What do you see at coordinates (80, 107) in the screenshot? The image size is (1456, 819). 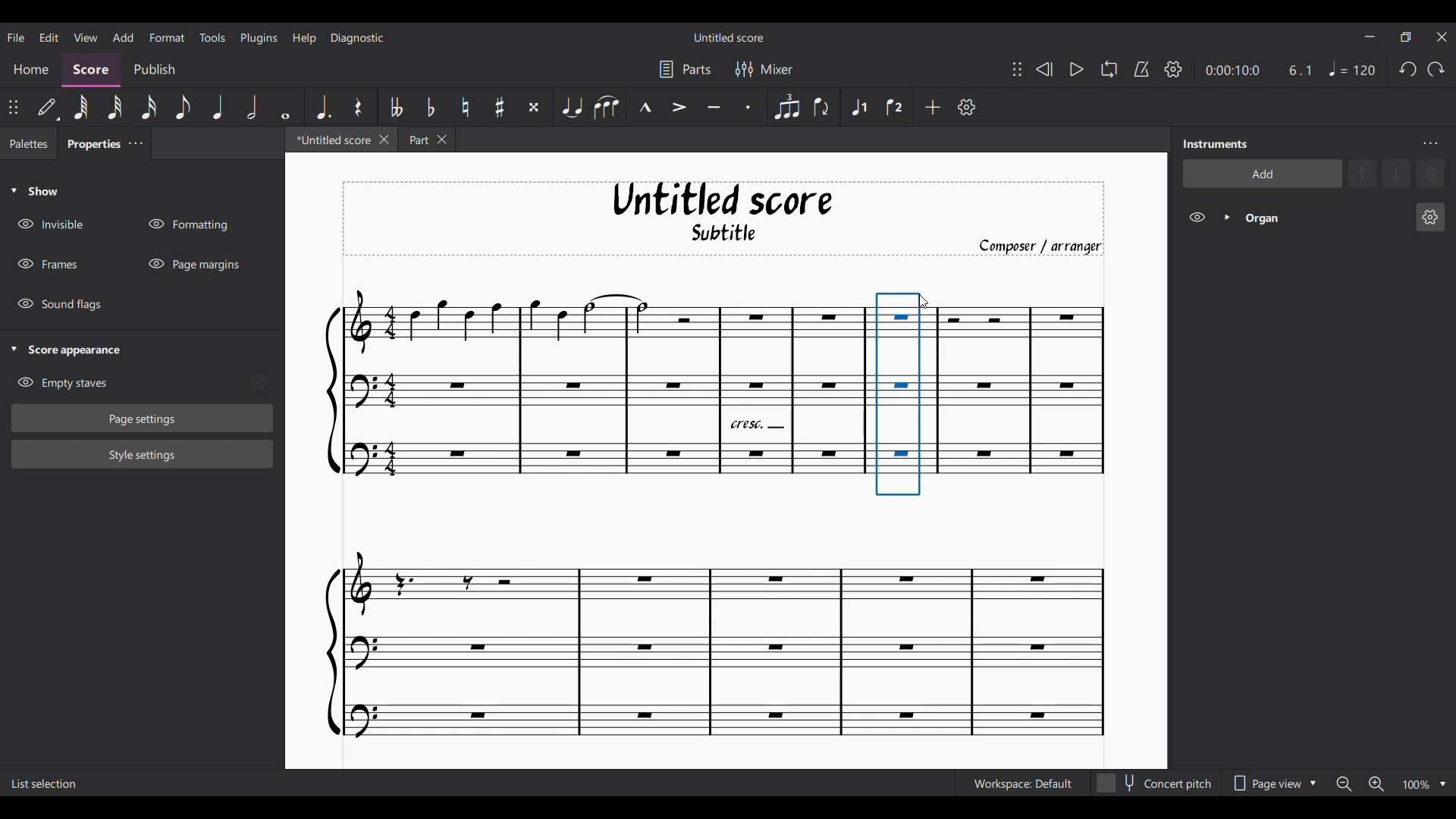 I see `64th note` at bounding box center [80, 107].